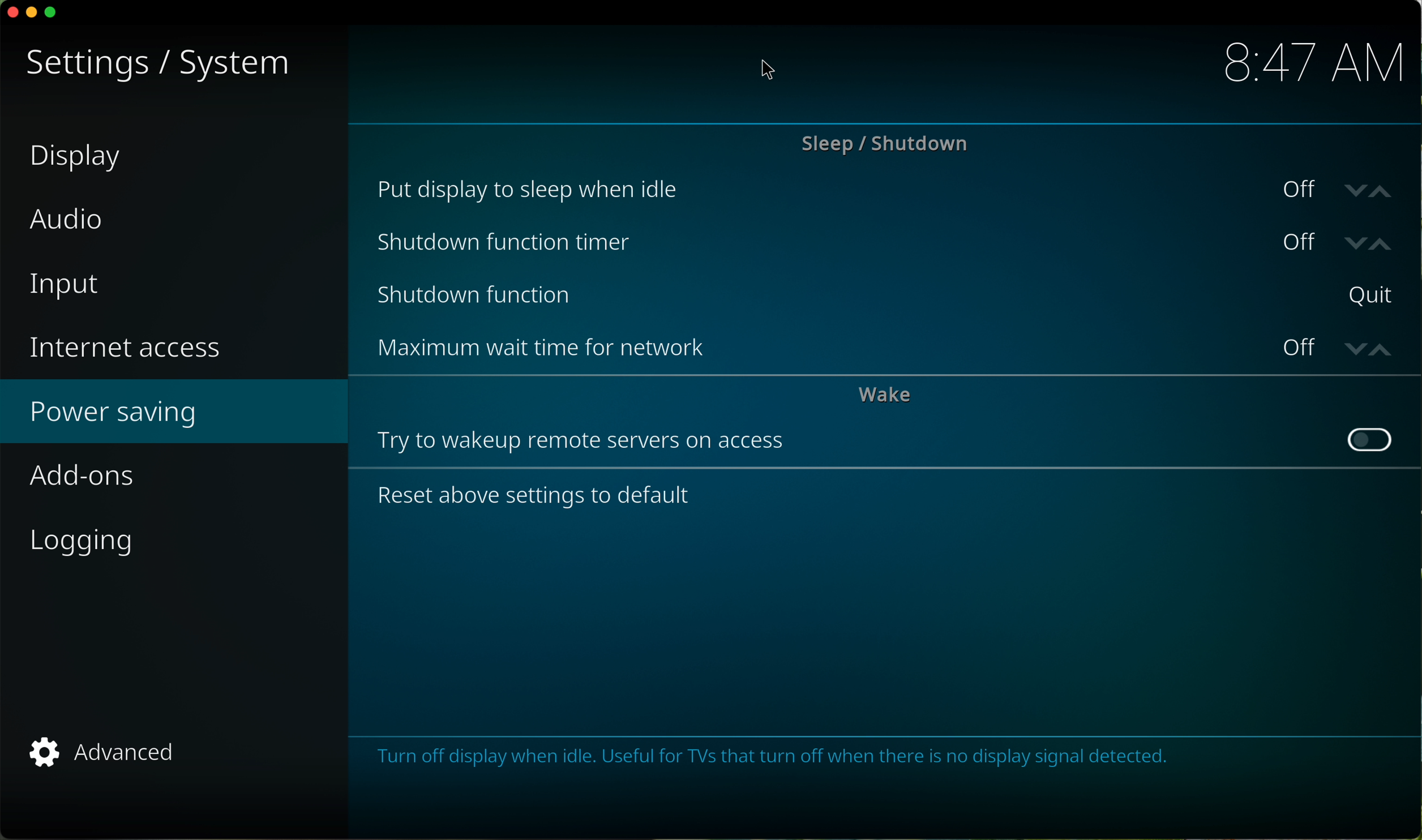 The width and height of the screenshot is (1422, 840). What do you see at coordinates (67, 287) in the screenshot?
I see `input` at bounding box center [67, 287].